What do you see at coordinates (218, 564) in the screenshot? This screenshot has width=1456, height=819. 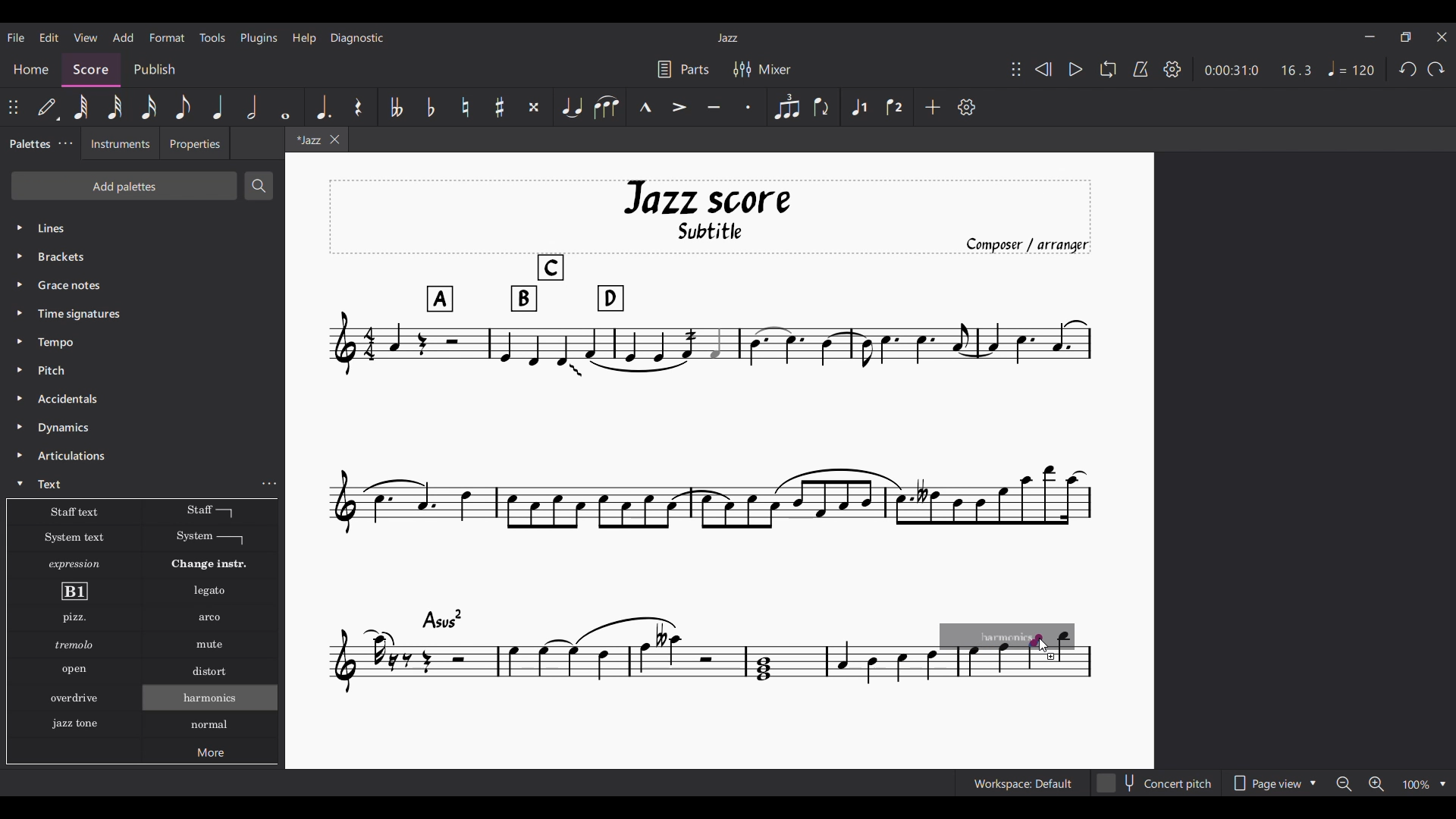 I see `Change ` at bounding box center [218, 564].